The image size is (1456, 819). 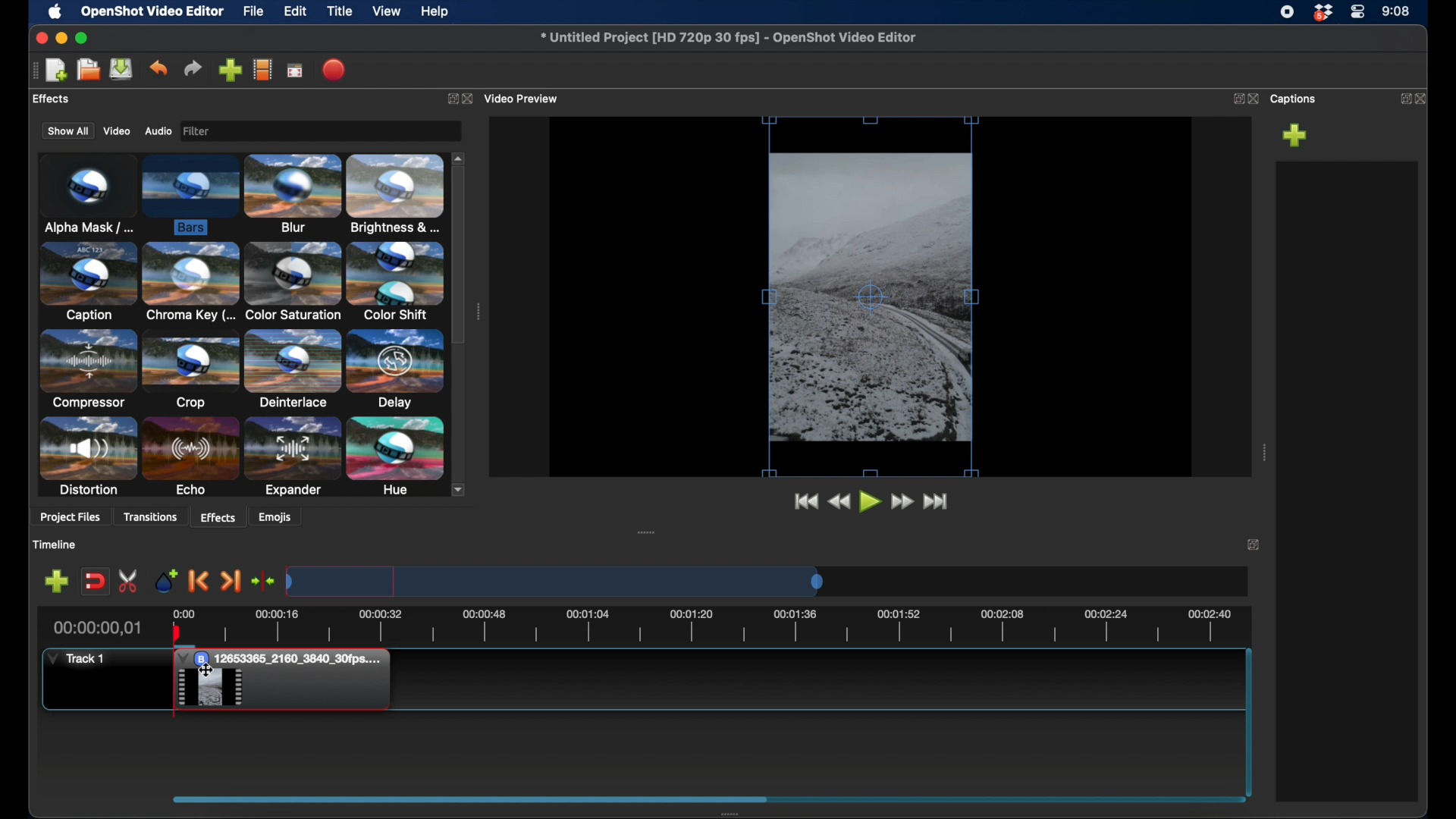 What do you see at coordinates (72, 519) in the screenshot?
I see `project files` at bounding box center [72, 519].